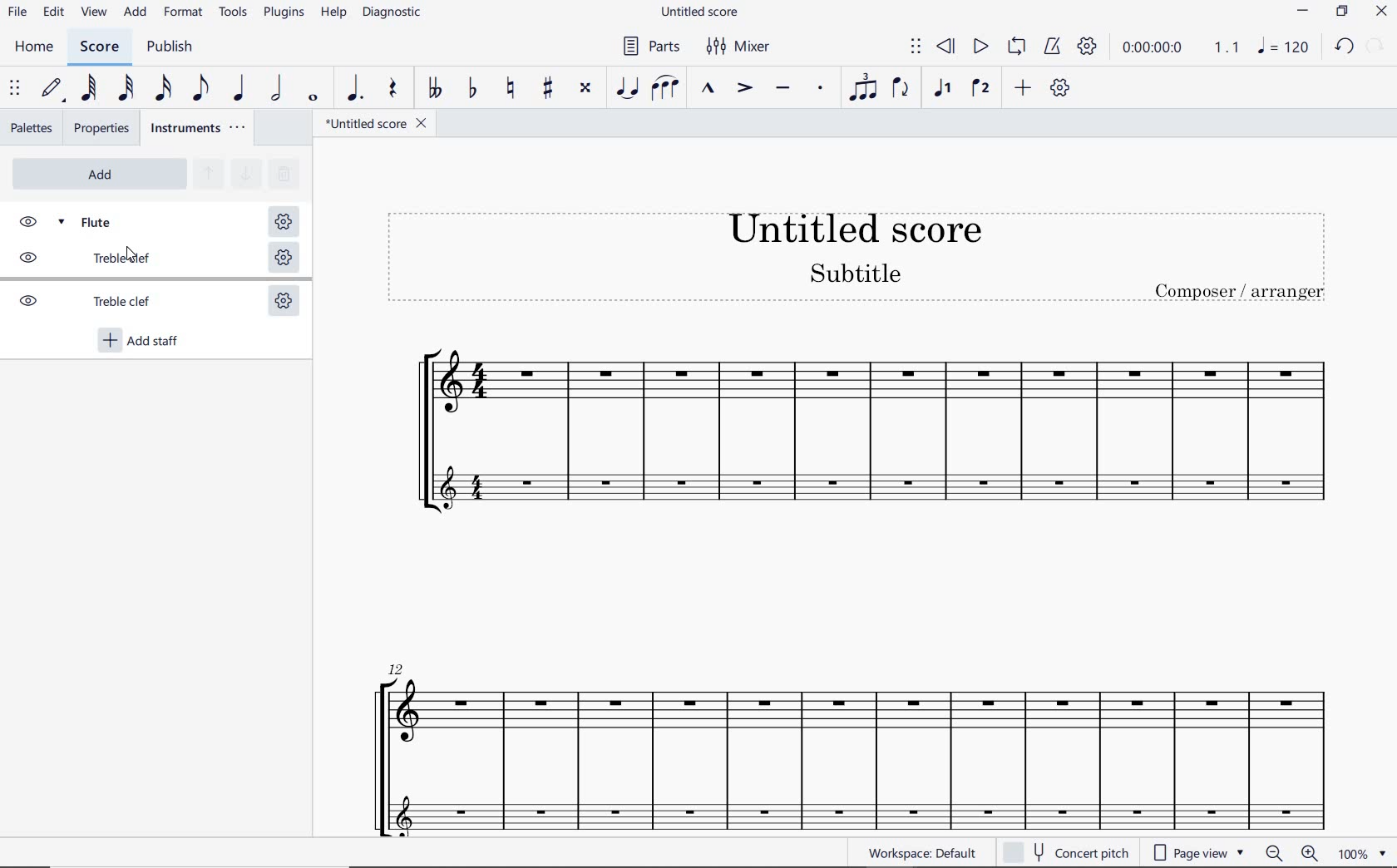 This screenshot has height=868, width=1397. What do you see at coordinates (1287, 46) in the screenshot?
I see `note` at bounding box center [1287, 46].